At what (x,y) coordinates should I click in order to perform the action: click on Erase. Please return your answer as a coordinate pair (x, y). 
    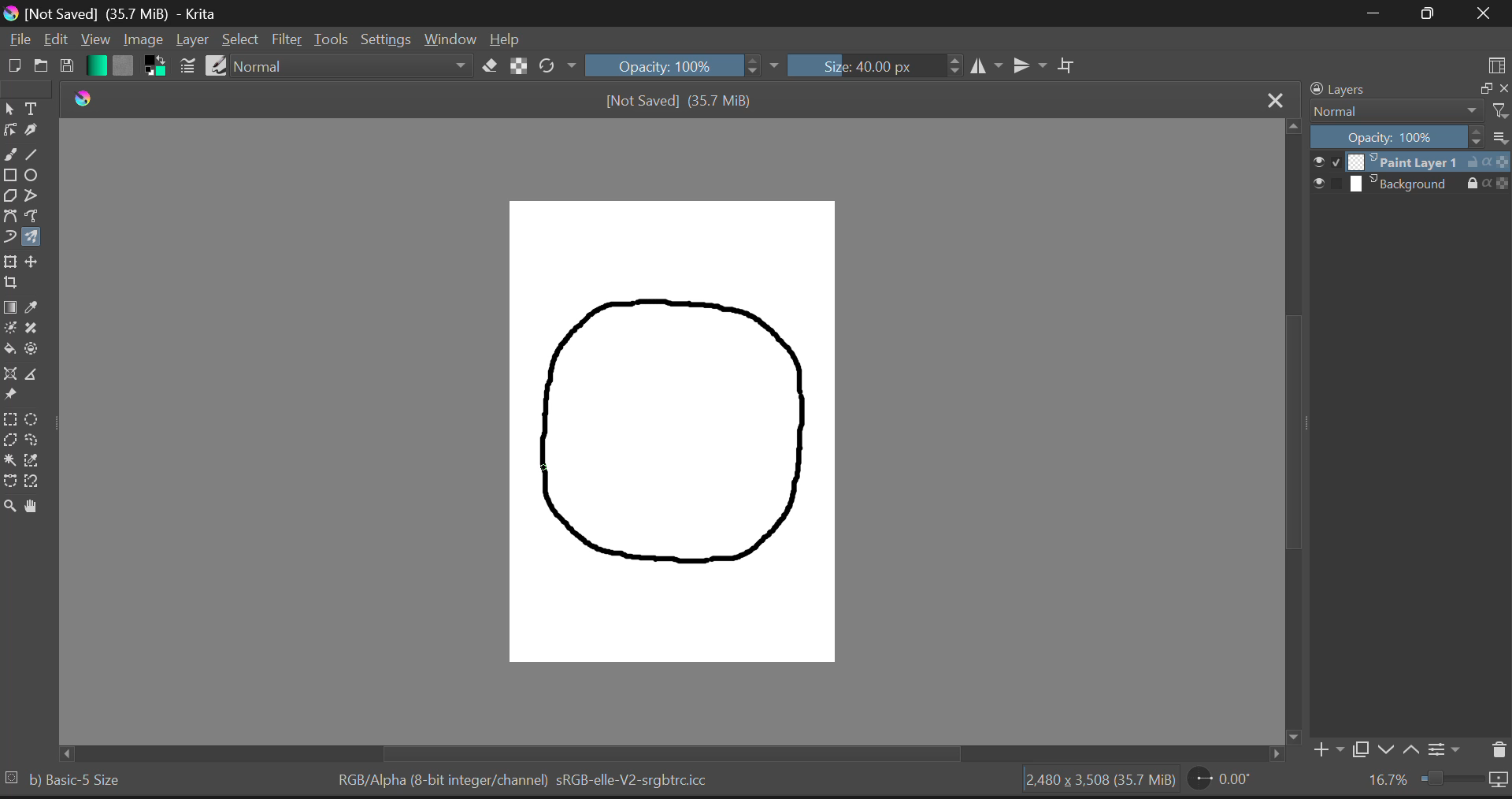
    Looking at the image, I should click on (491, 67).